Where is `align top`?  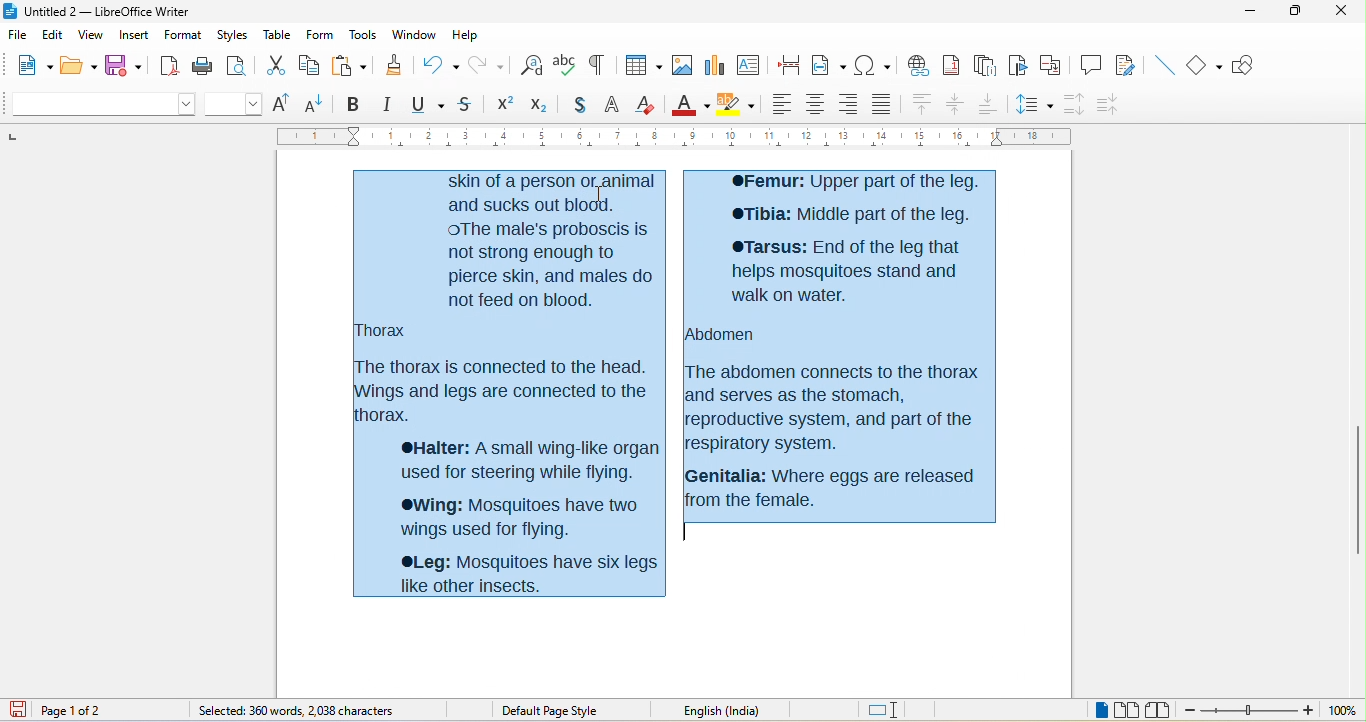
align top is located at coordinates (921, 105).